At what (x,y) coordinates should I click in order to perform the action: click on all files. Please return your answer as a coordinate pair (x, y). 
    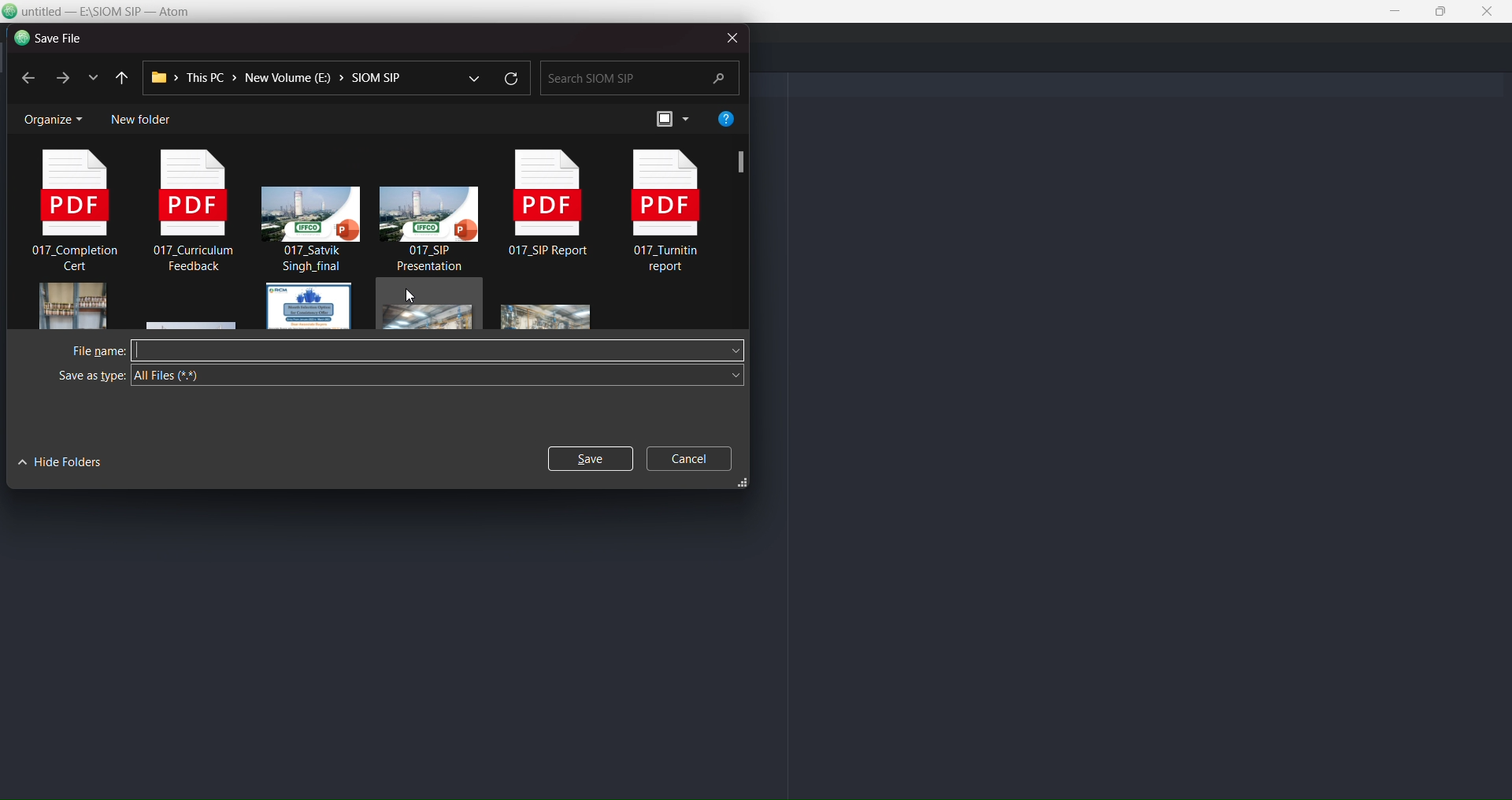
    Looking at the image, I should click on (420, 374).